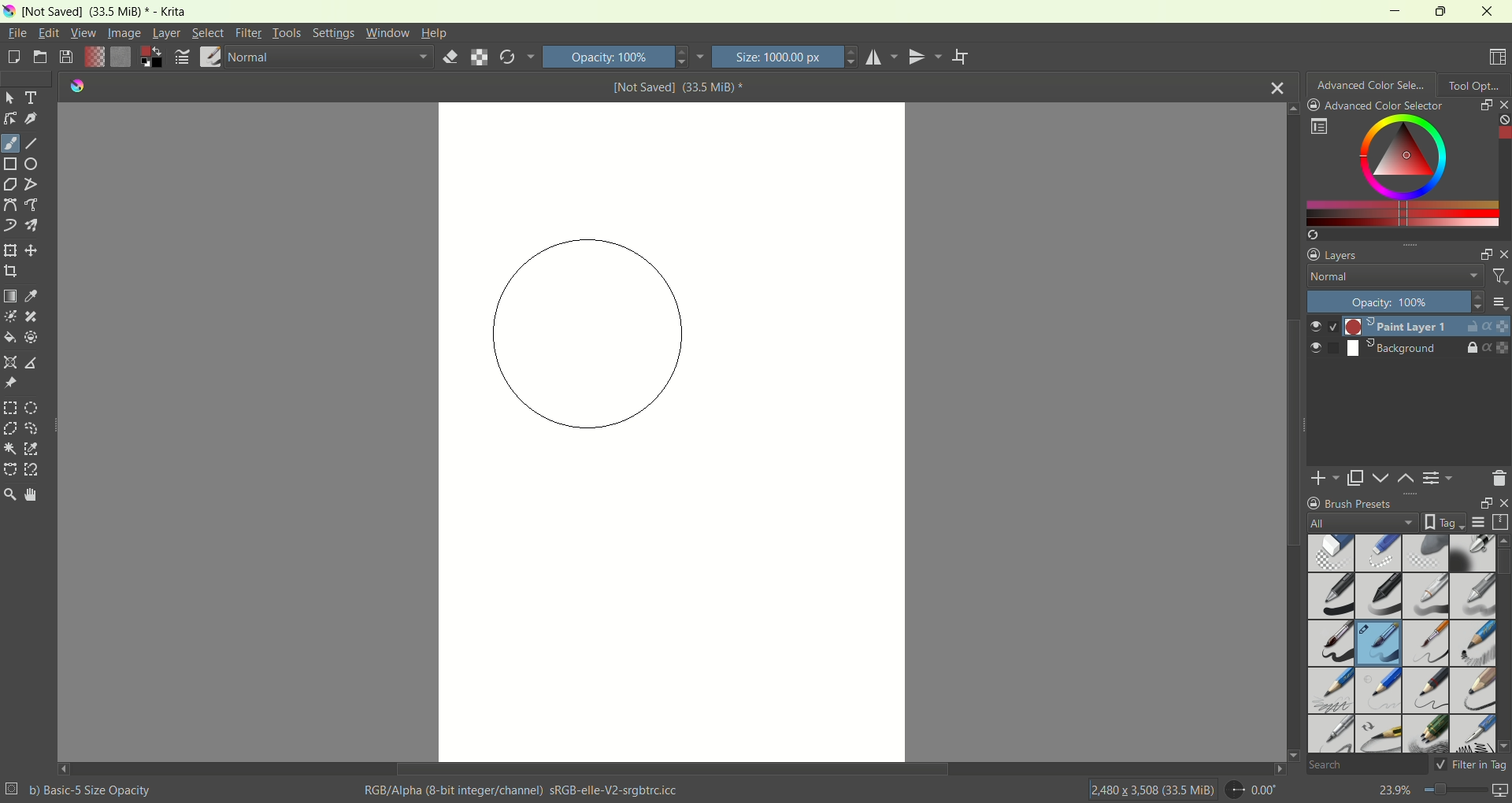  What do you see at coordinates (1278, 86) in the screenshot?
I see `close` at bounding box center [1278, 86].